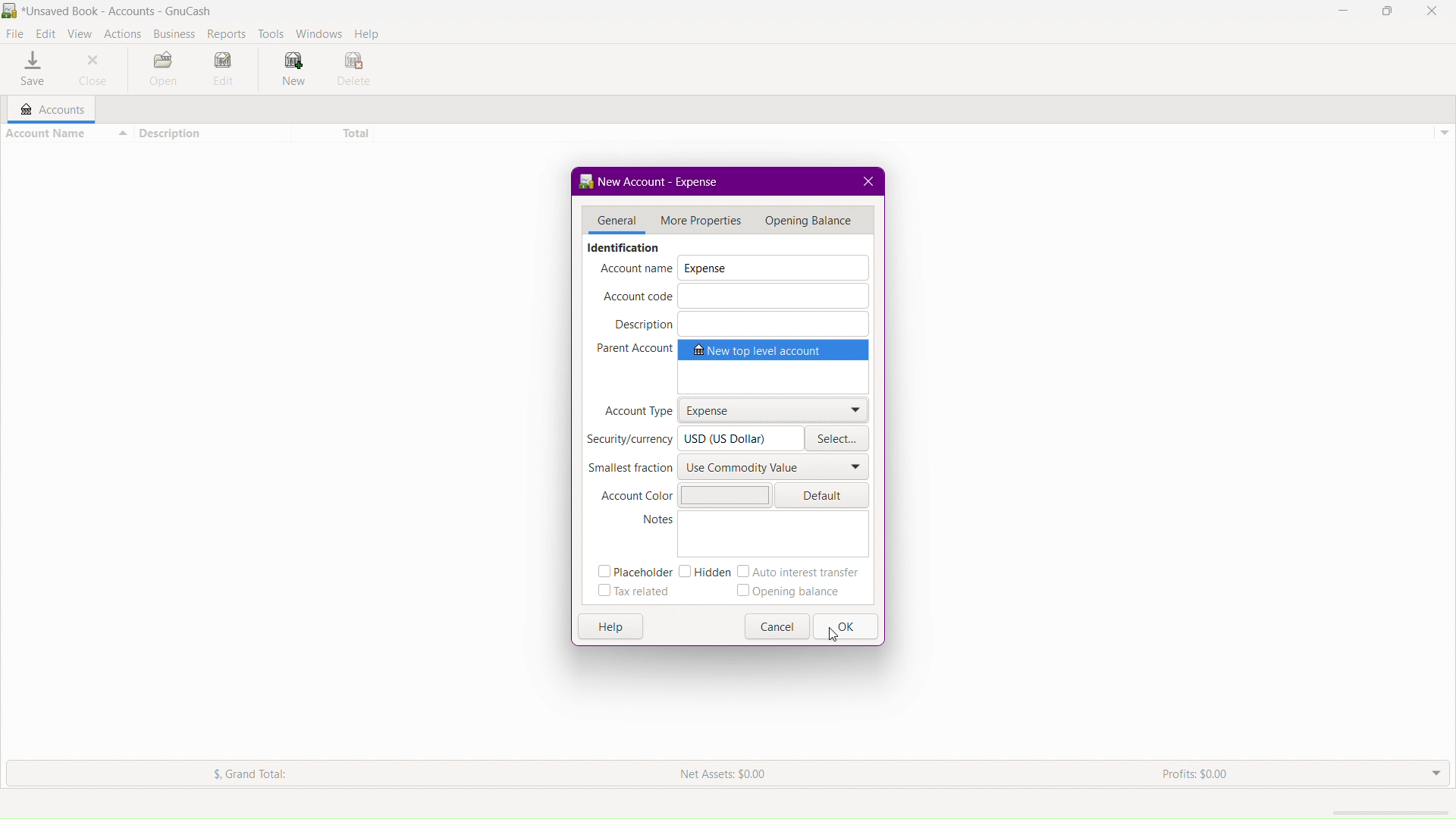 The height and width of the screenshot is (819, 1456). What do you see at coordinates (753, 535) in the screenshot?
I see `Notes` at bounding box center [753, 535].